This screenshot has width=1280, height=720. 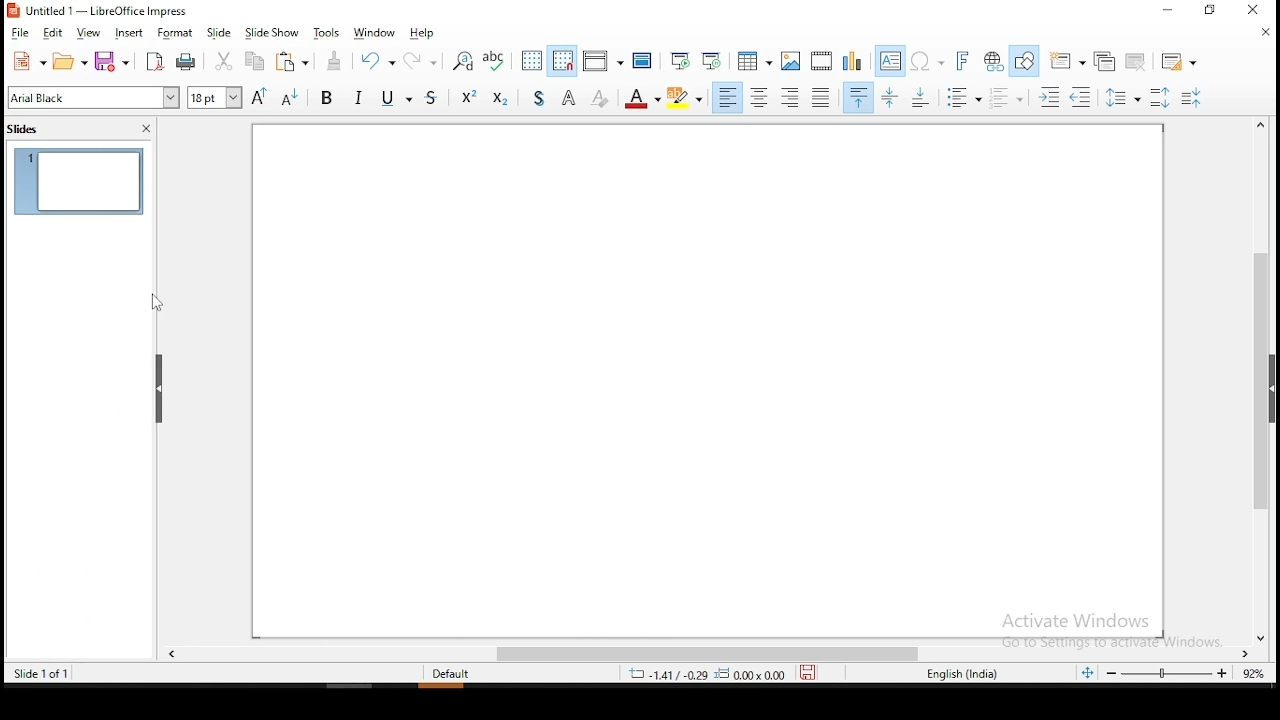 I want to click on strikethrough, so click(x=436, y=100).